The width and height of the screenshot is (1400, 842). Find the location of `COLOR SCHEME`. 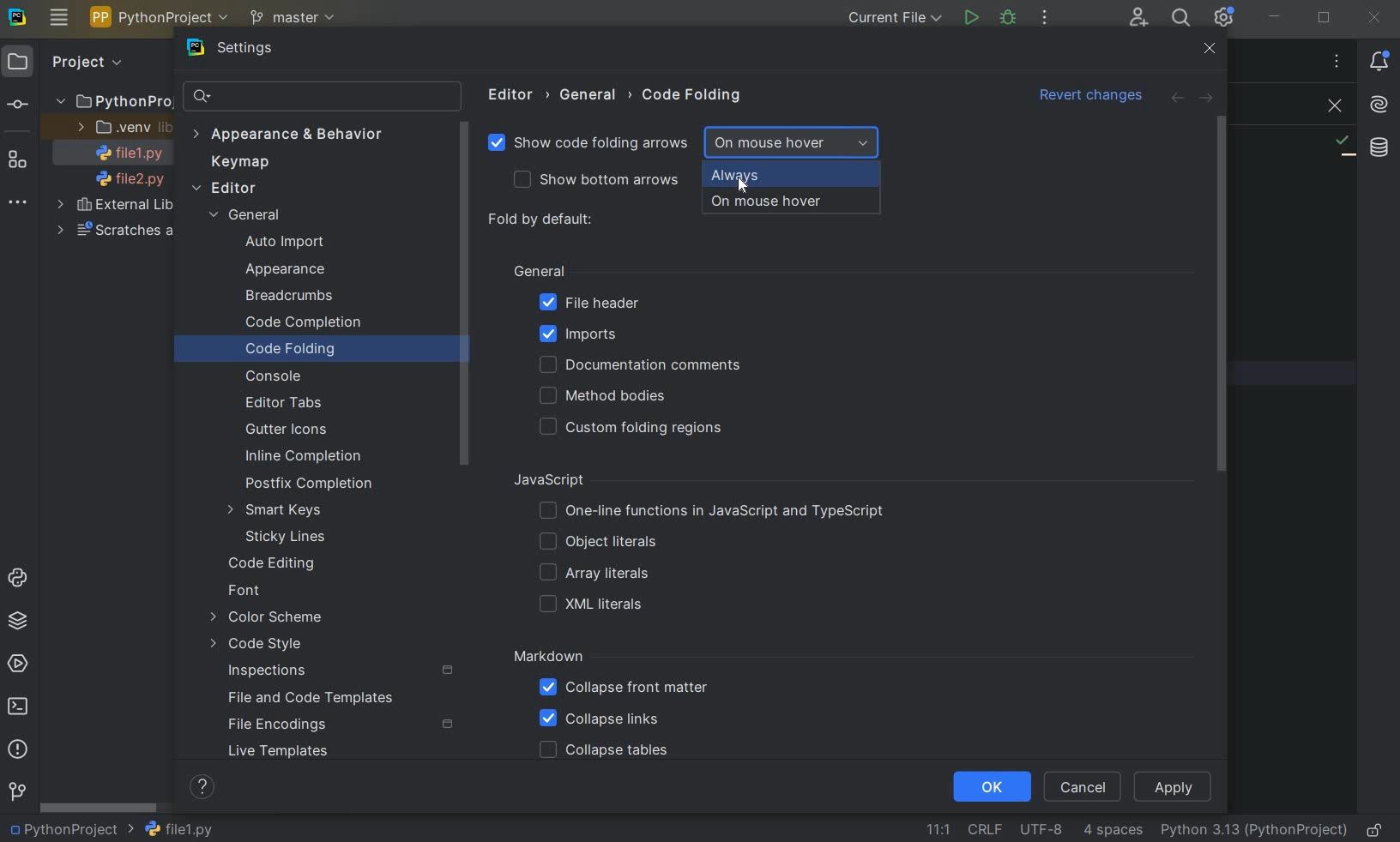

COLOR SCHEME is located at coordinates (269, 618).